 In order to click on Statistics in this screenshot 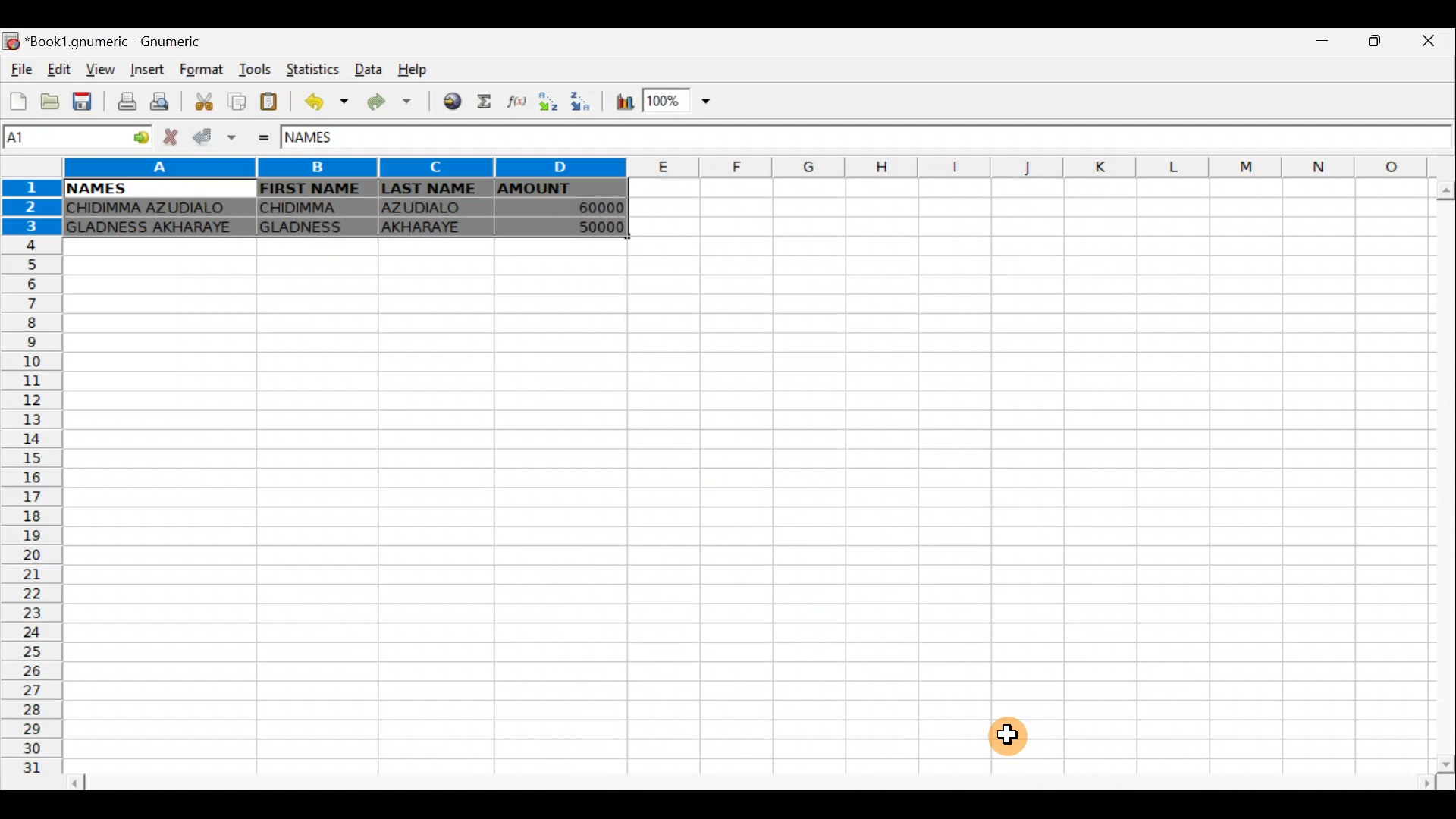, I will do `click(314, 71)`.